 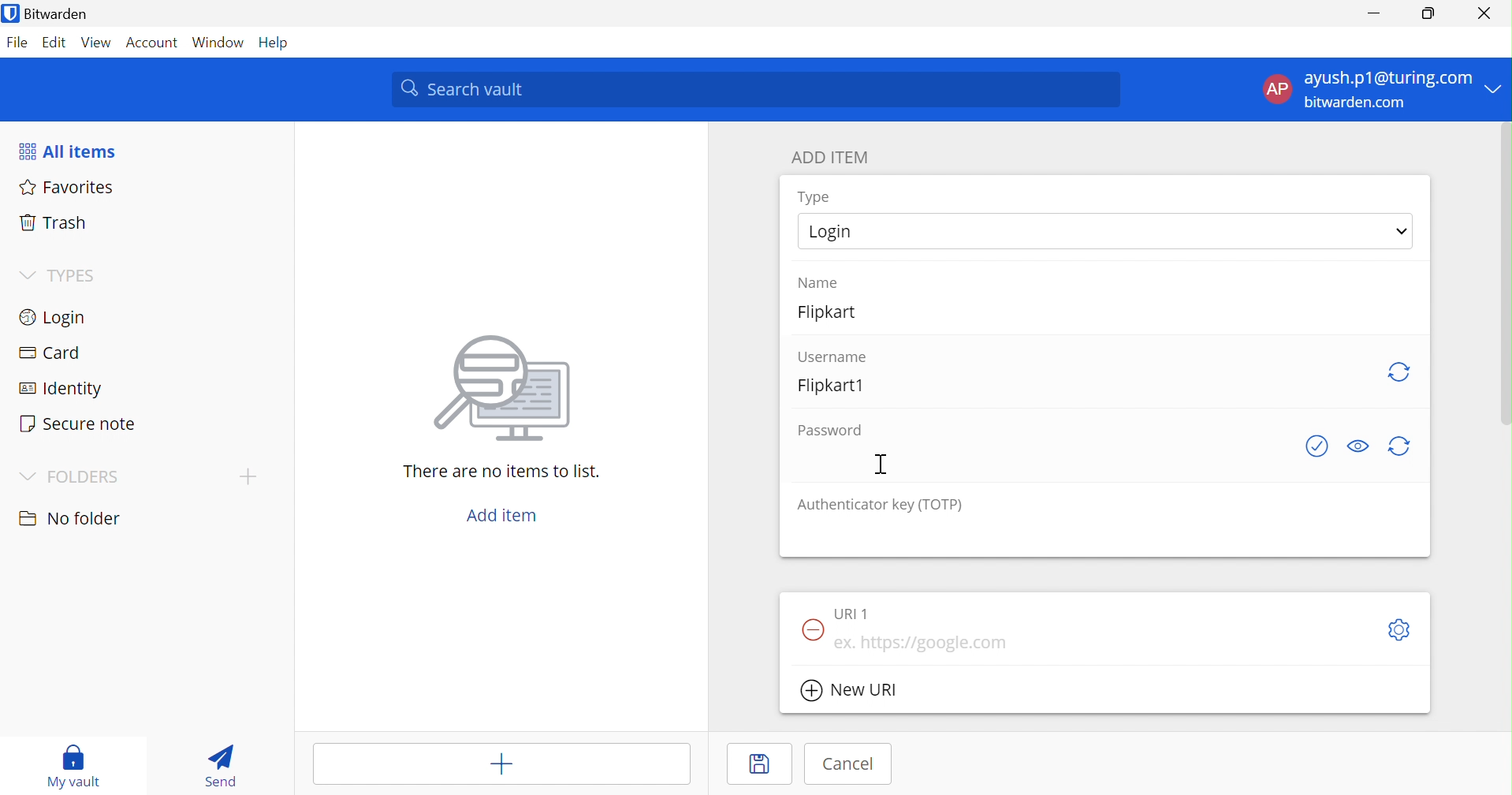 I want to click on Drop Down, so click(x=28, y=477).